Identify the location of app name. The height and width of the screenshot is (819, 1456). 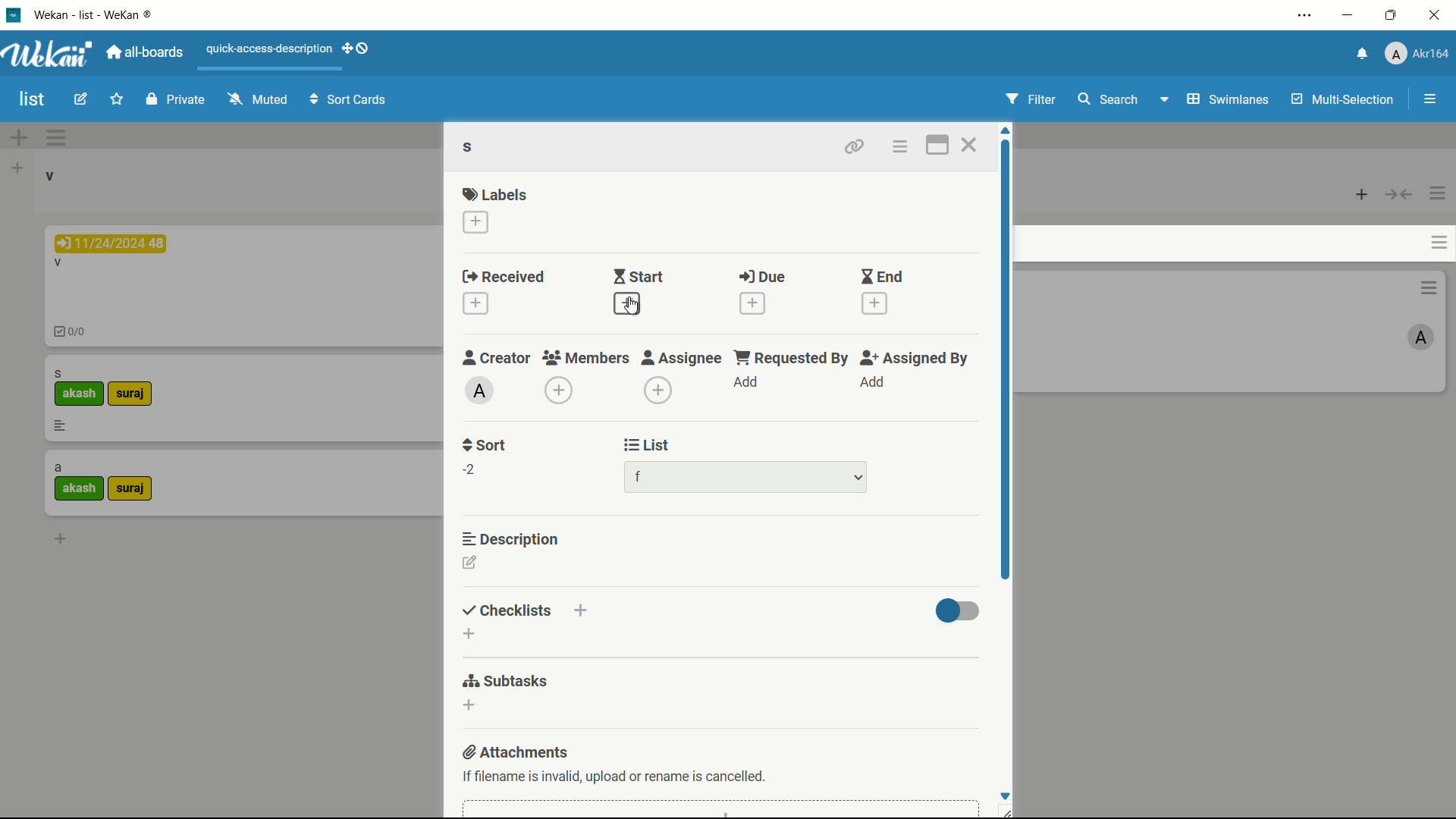
(101, 16).